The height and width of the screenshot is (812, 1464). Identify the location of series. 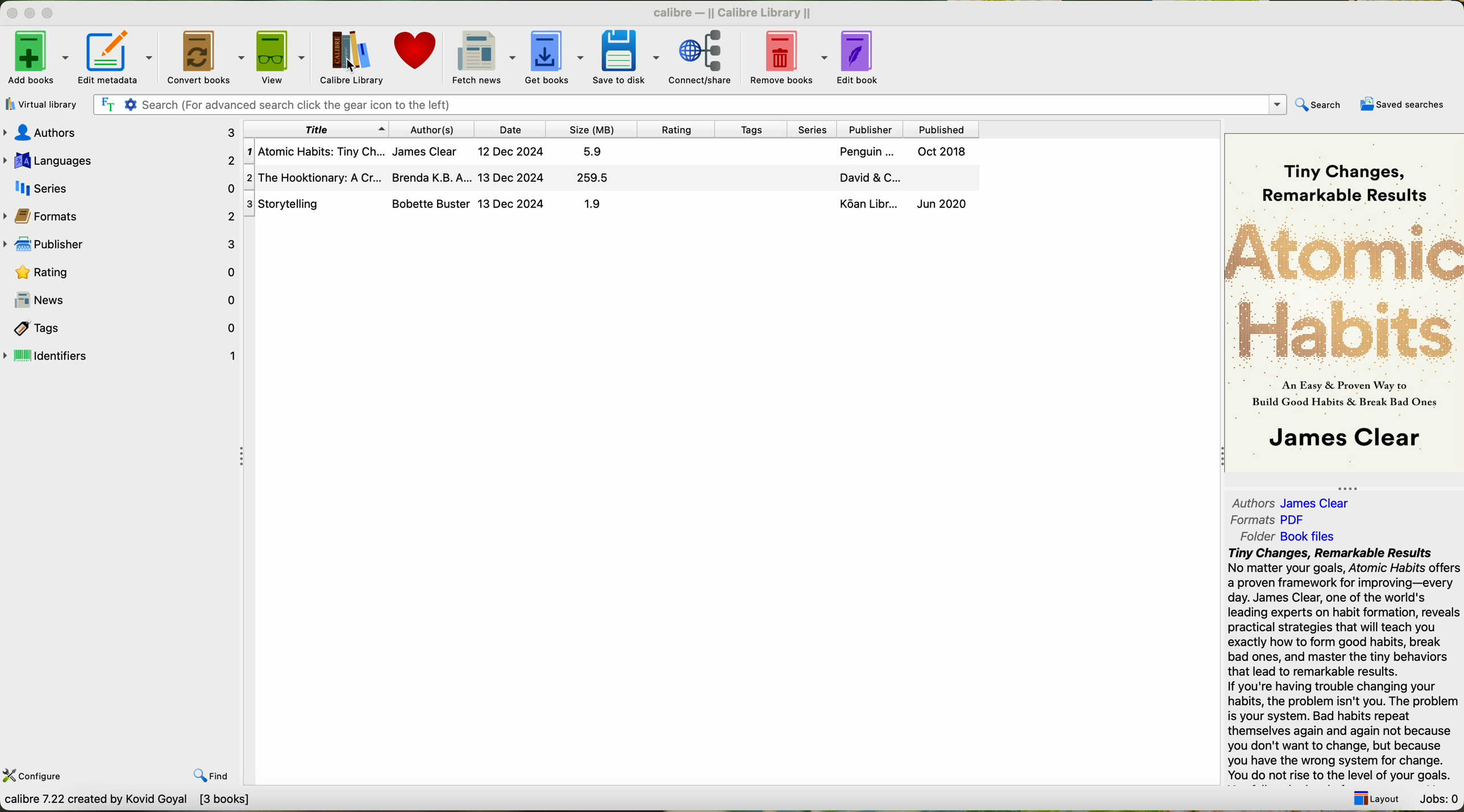
(121, 188).